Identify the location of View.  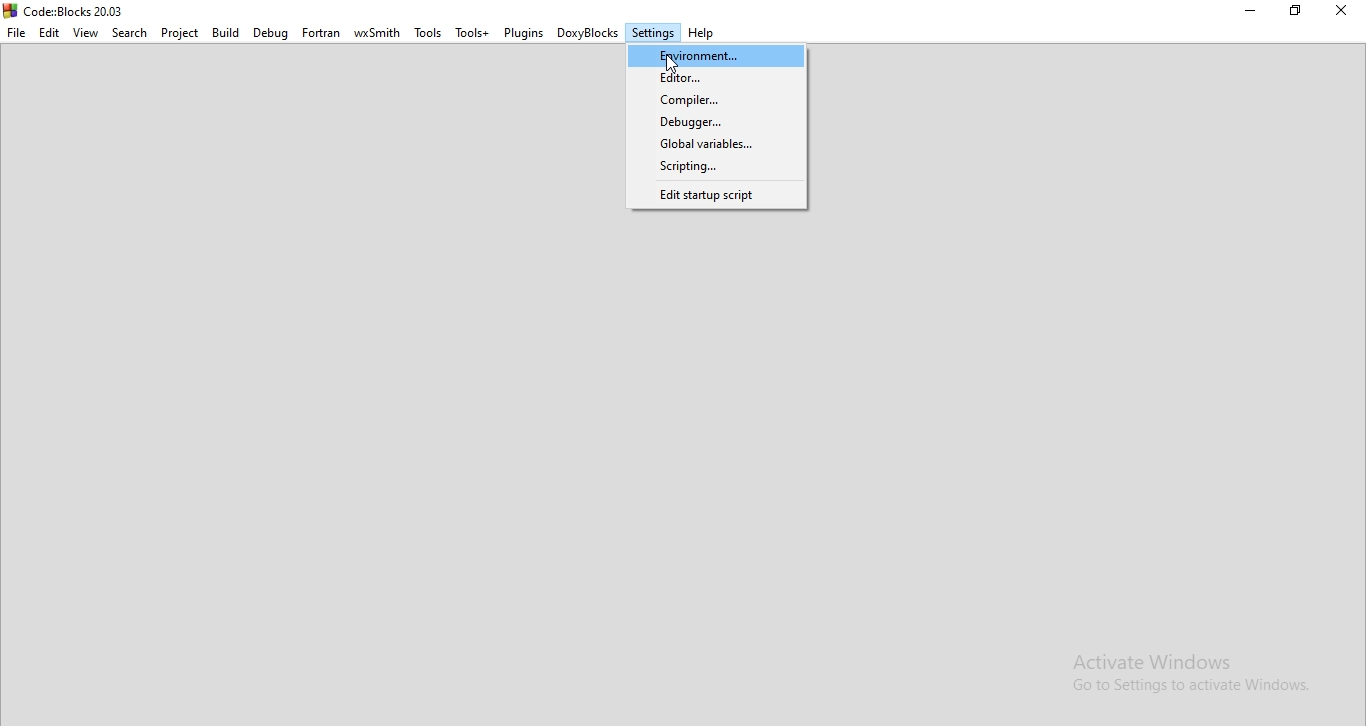
(87, 34).